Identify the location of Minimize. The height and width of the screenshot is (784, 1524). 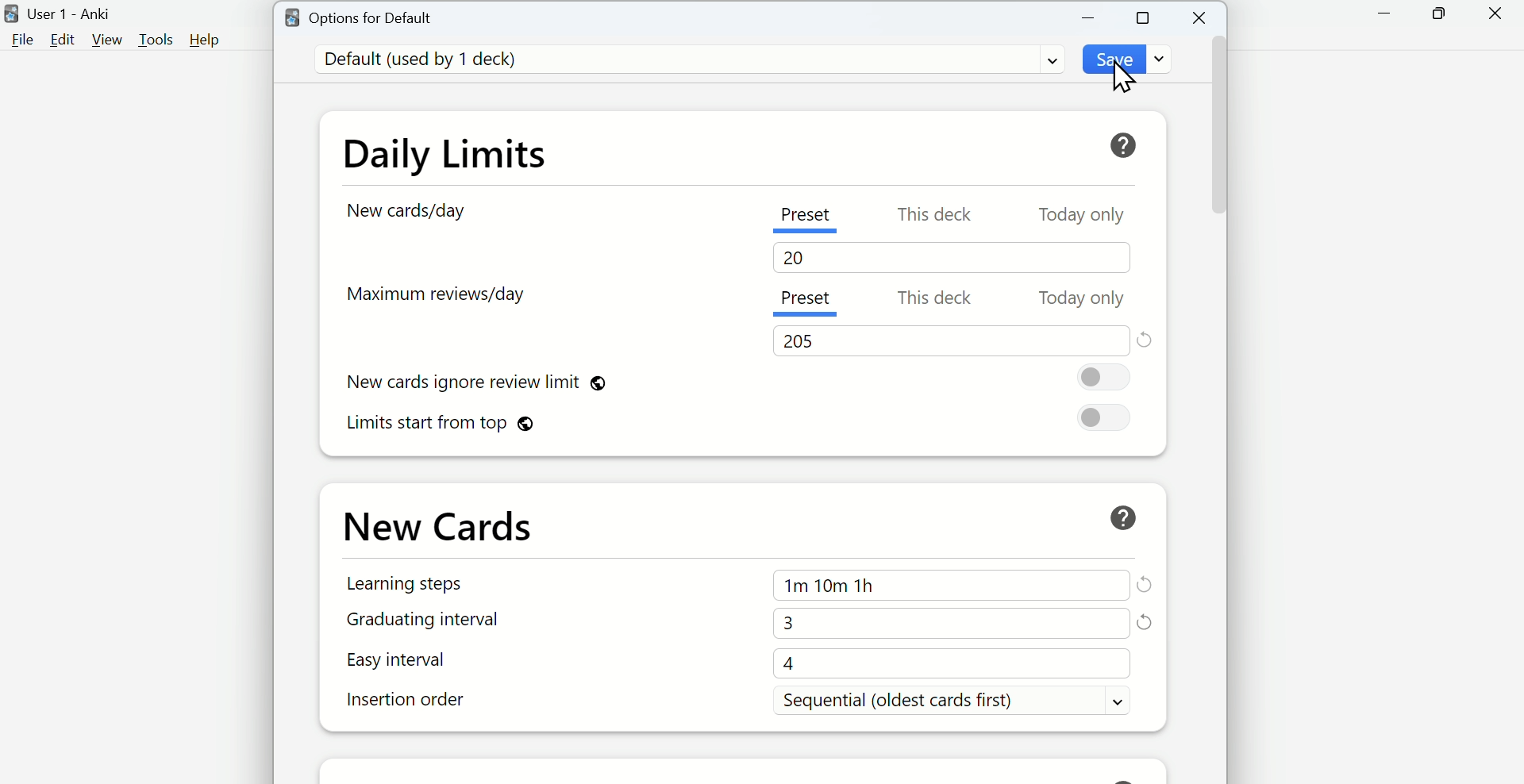
(1091, 17).